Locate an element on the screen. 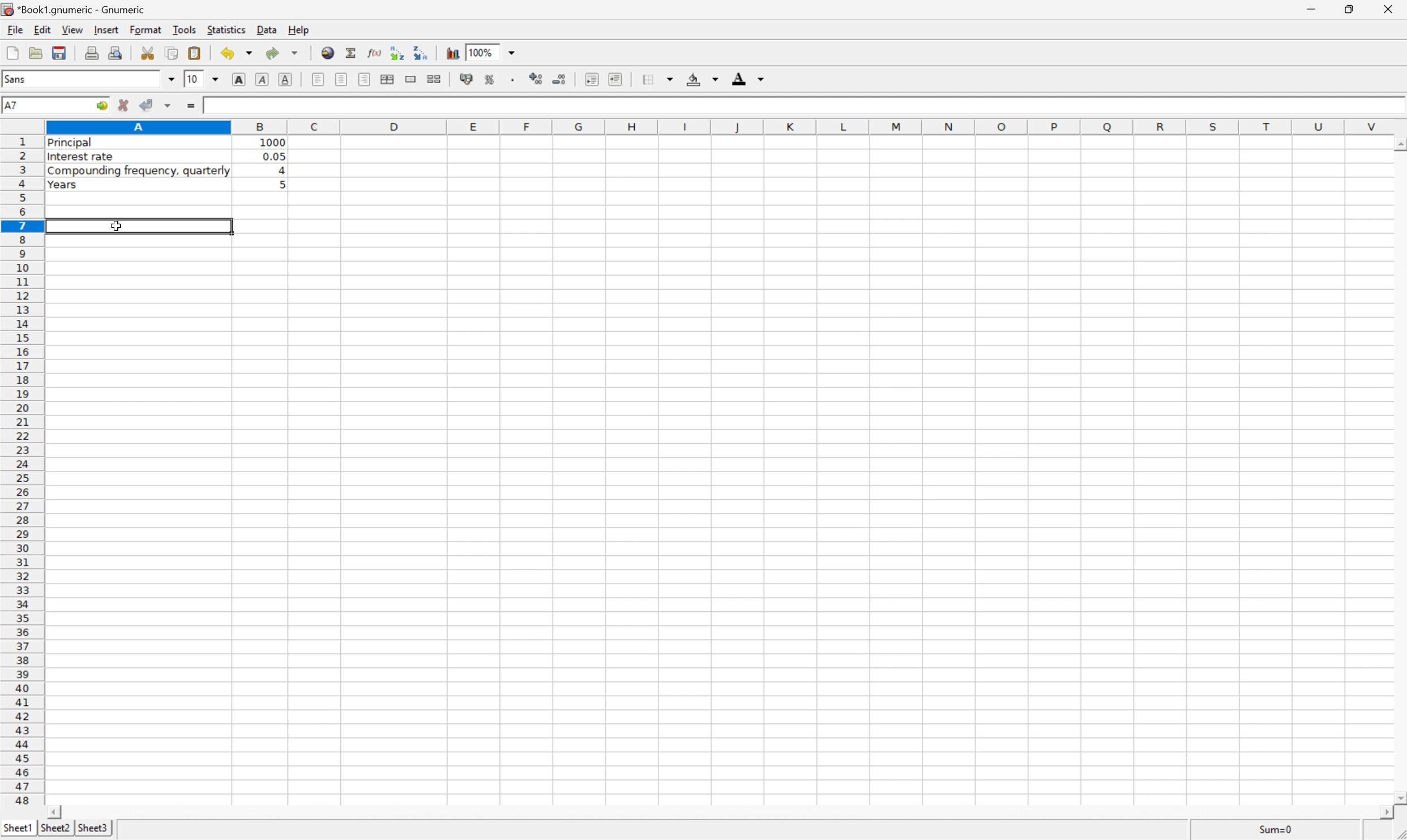 The width and height of the screenshot is (1407, 840). print is located at coordinates (92, 53).